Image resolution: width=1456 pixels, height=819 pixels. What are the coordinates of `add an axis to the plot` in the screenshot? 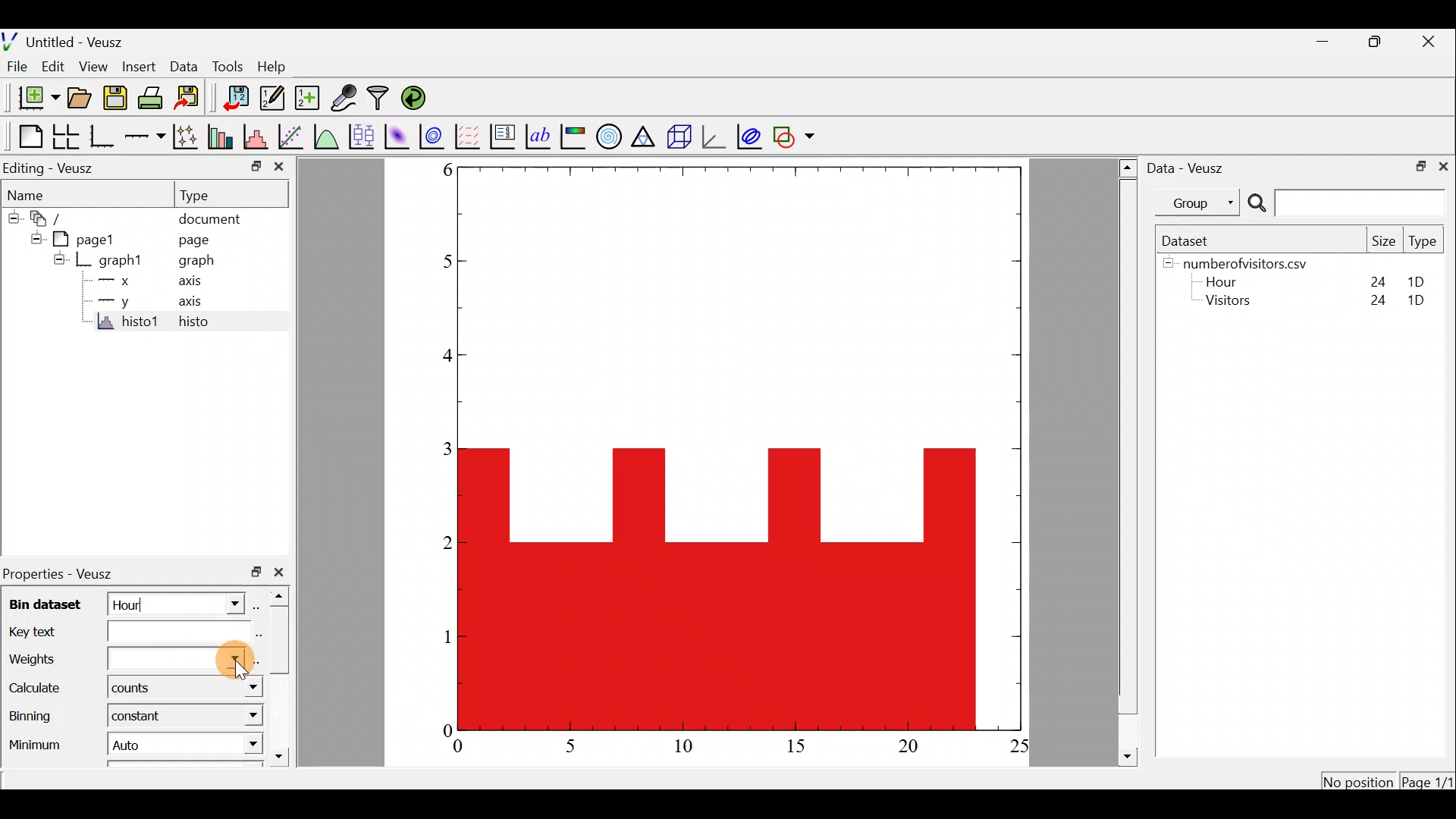 It's located at (146, 135).